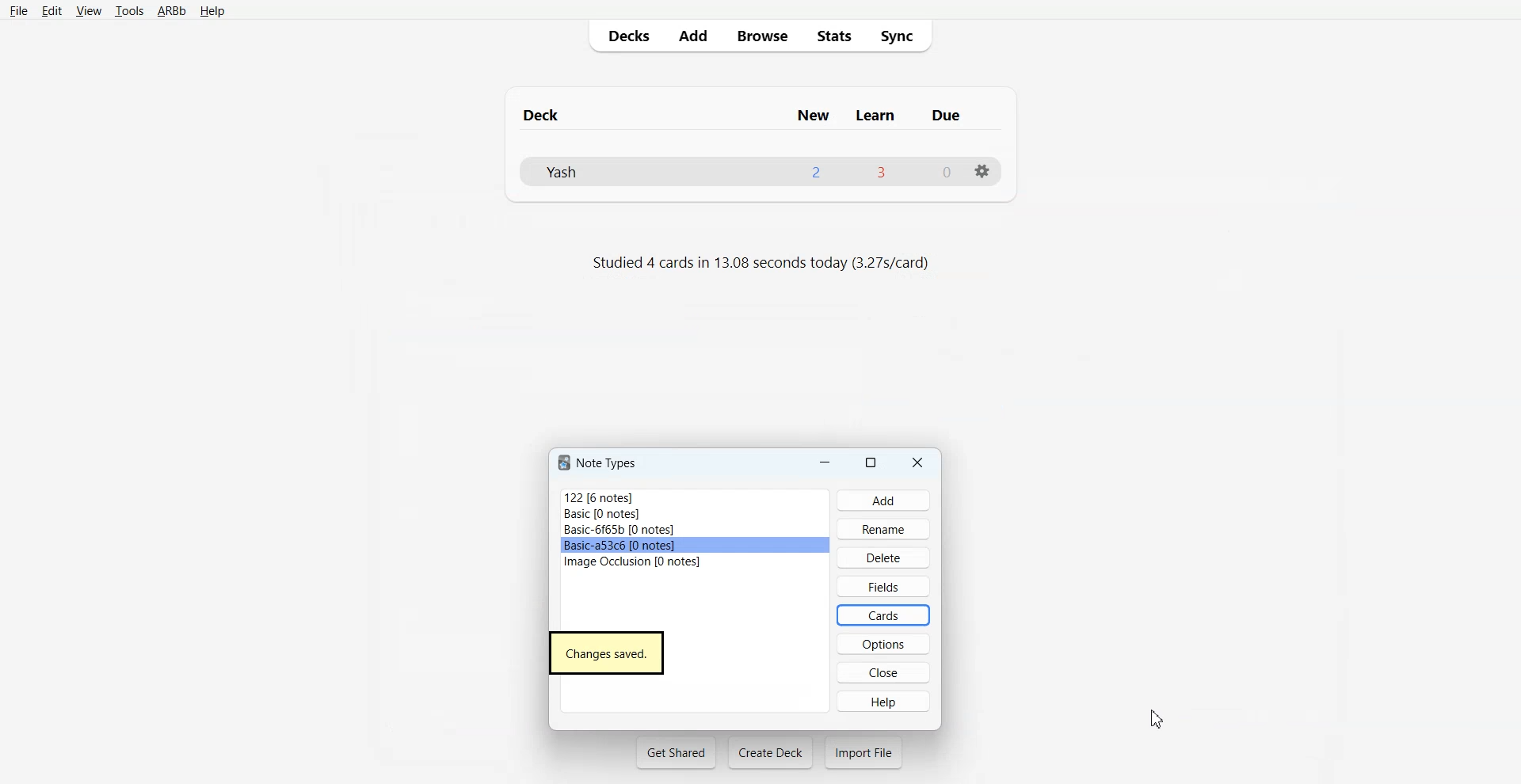  I want to click on Import File, so click(863, 752).